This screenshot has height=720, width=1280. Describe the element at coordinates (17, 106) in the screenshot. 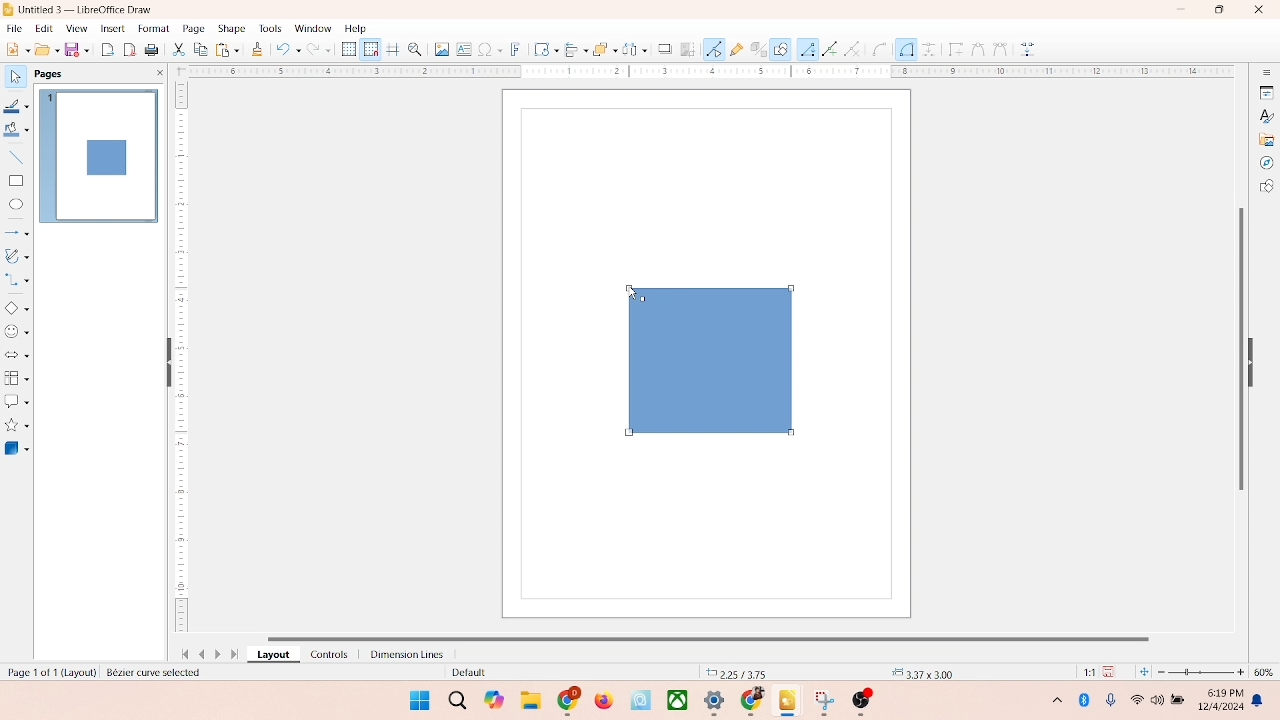

I see `line color` at that location.